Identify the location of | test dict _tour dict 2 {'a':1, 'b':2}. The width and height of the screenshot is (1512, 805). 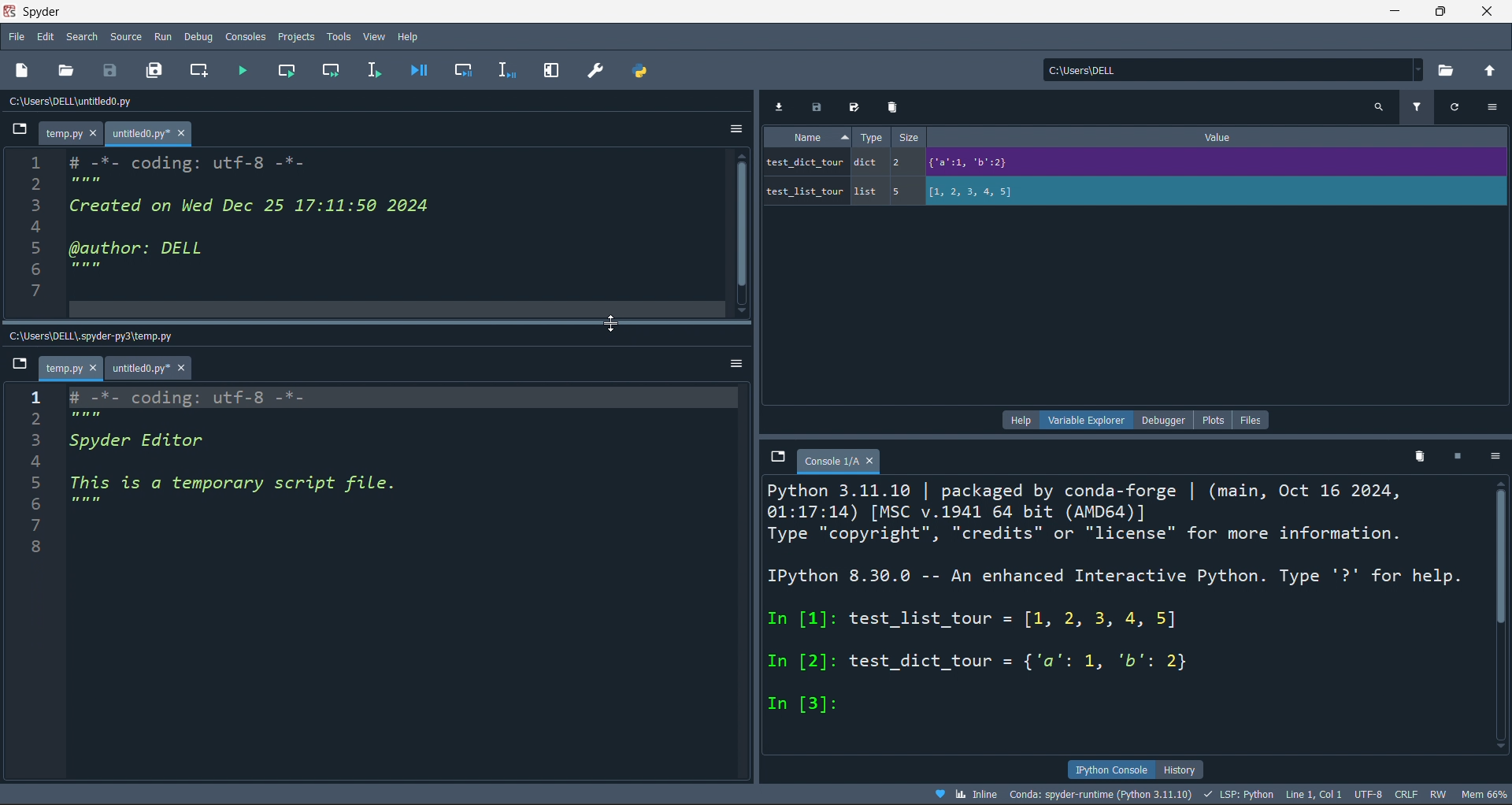
(1086, 161).